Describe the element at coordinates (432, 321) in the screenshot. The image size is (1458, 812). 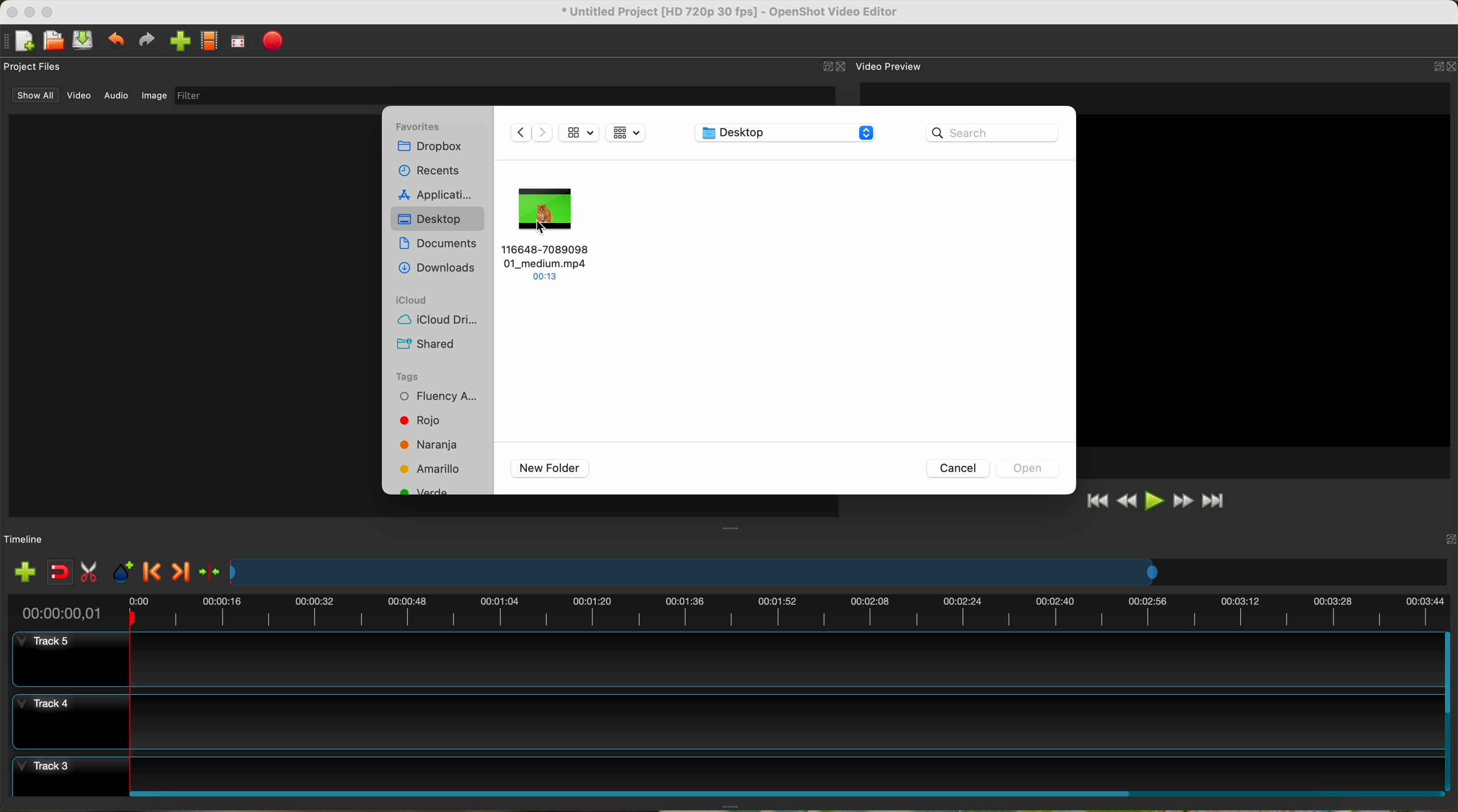
I see `icloud drive` at that location.